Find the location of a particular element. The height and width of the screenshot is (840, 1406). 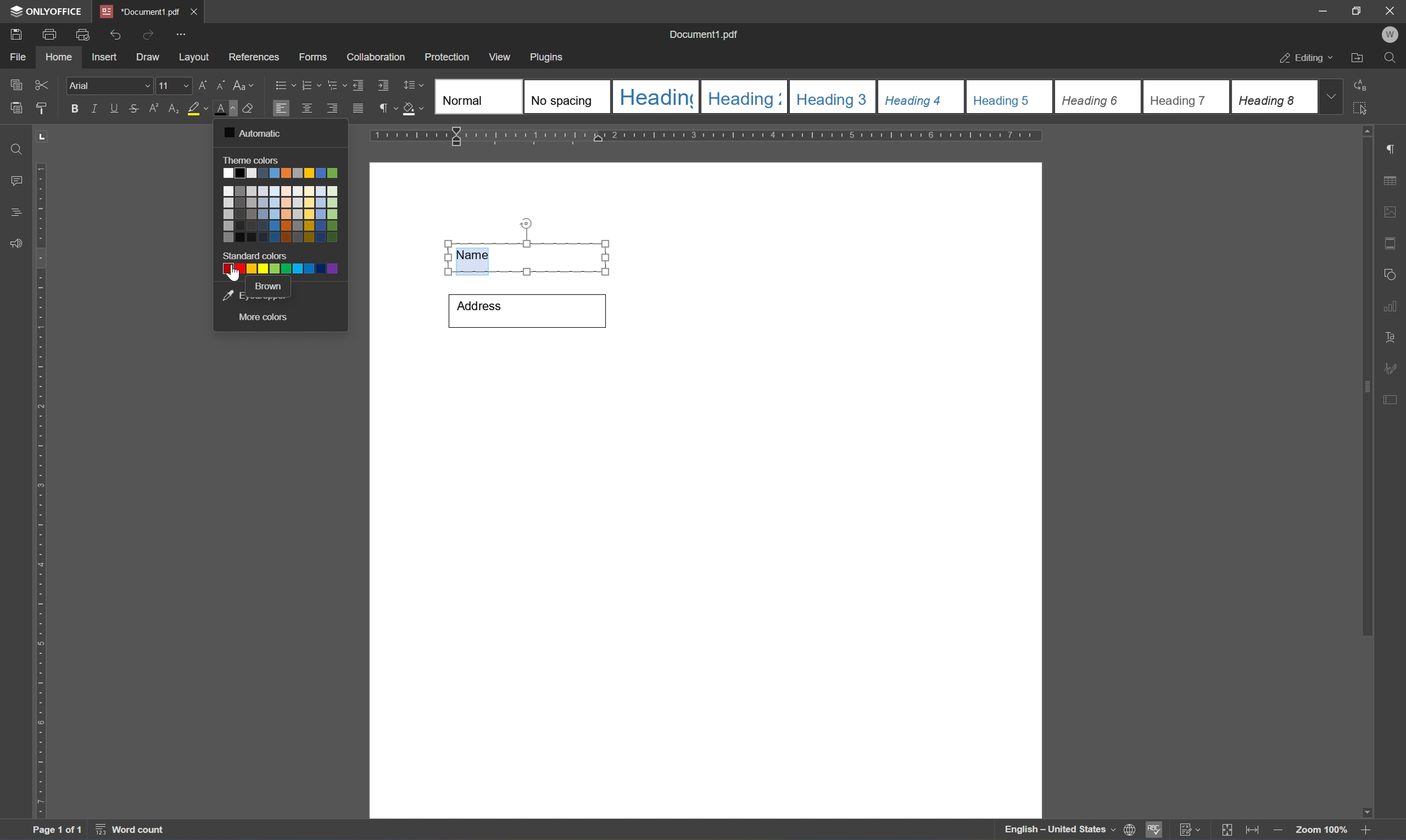

ruler is located at coordinates (41, 491).